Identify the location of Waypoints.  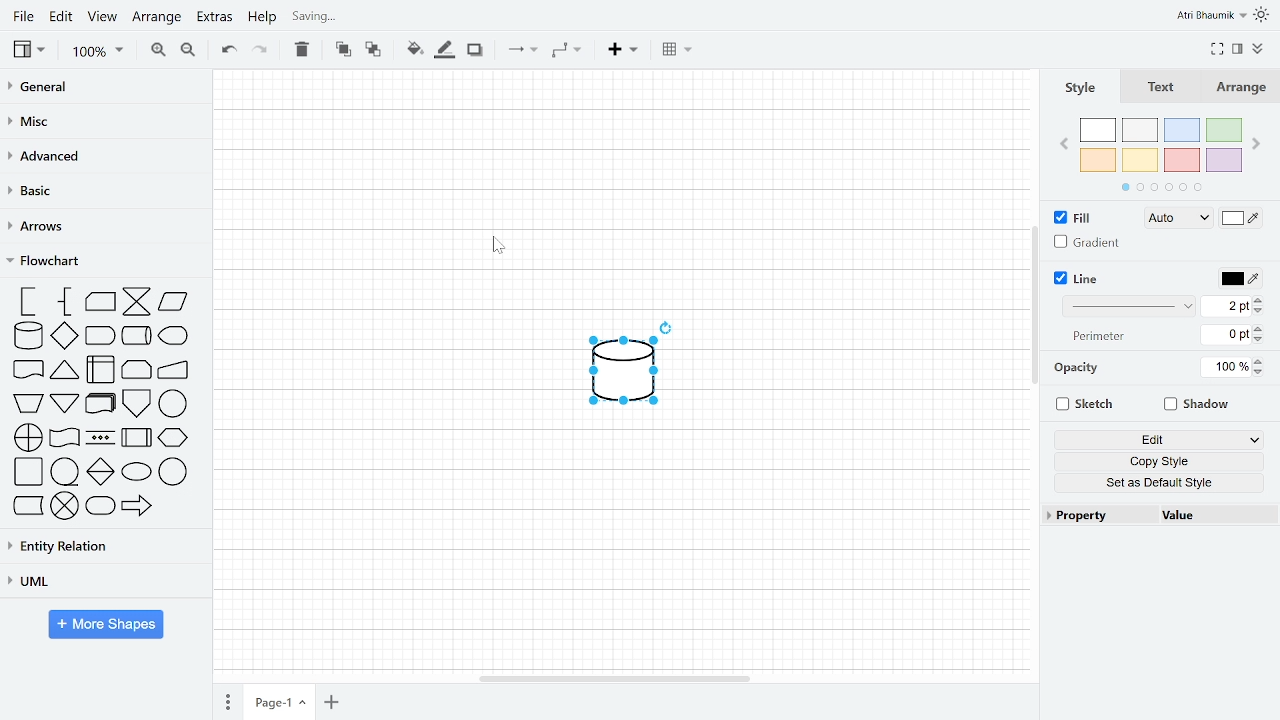
(566, 51).